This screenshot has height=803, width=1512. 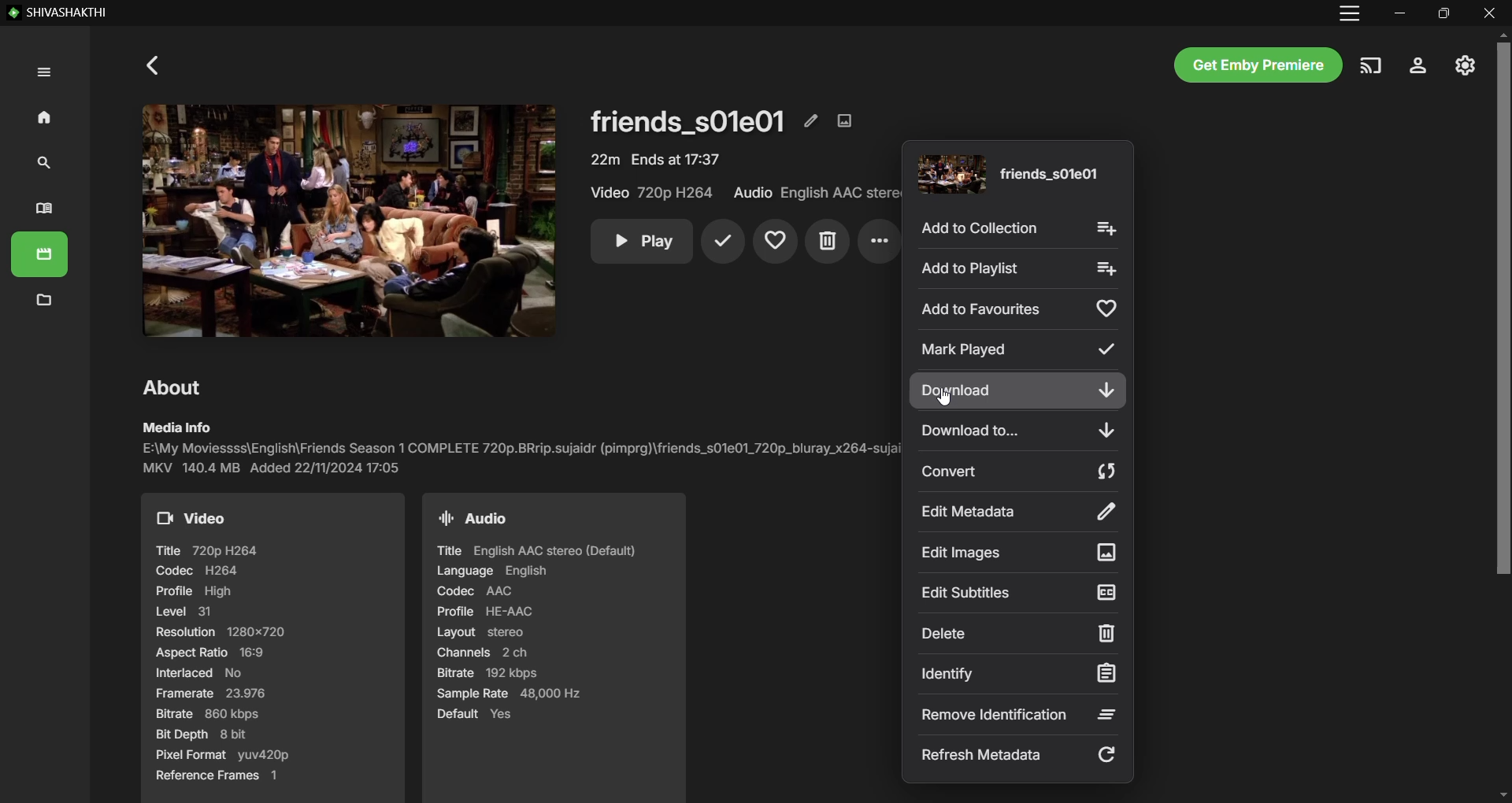 I want to click on Add to Favorites, so click(x=776, y=242).